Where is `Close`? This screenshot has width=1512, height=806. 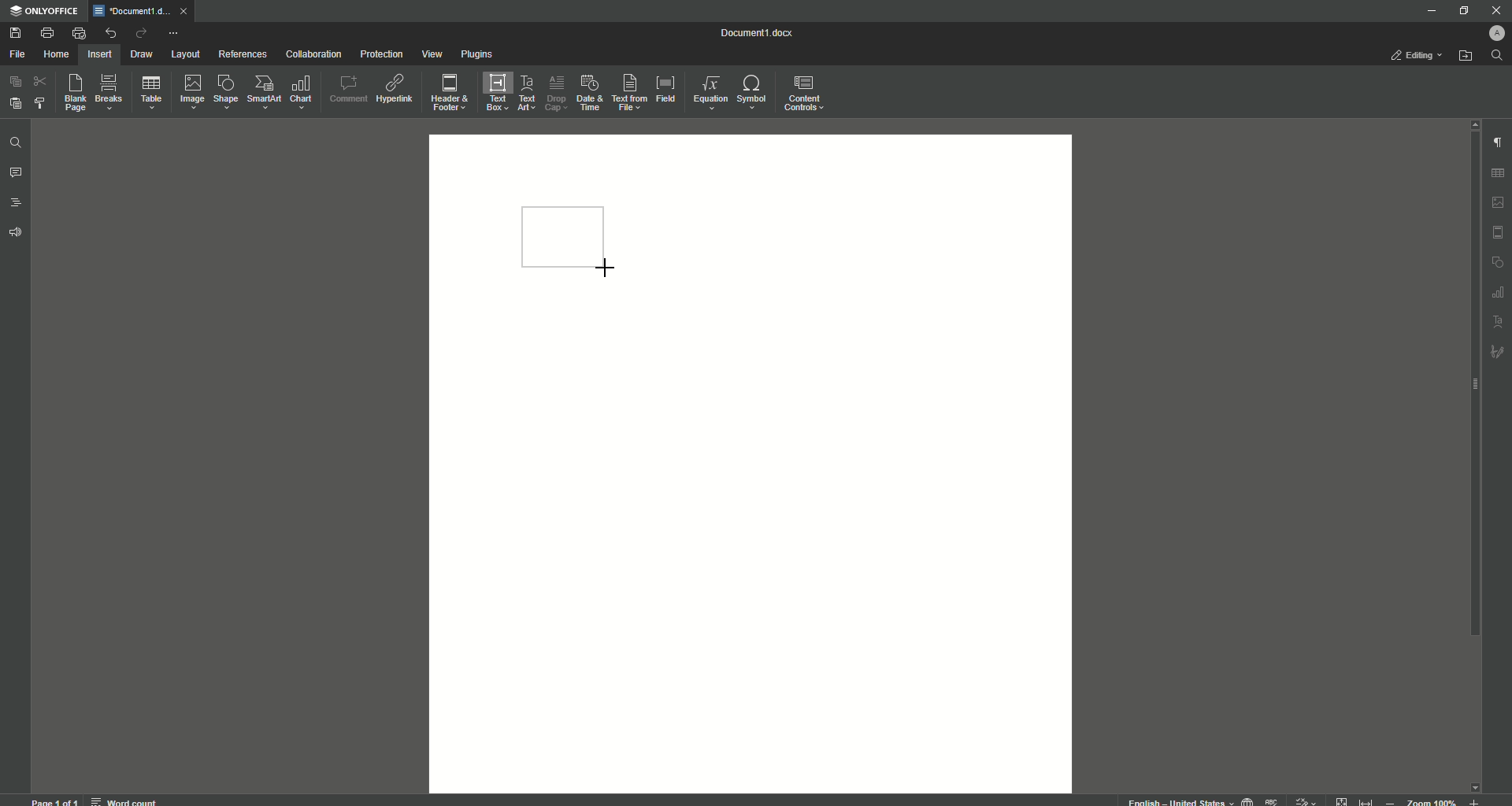 Close is located at coordinates (1495, 10).